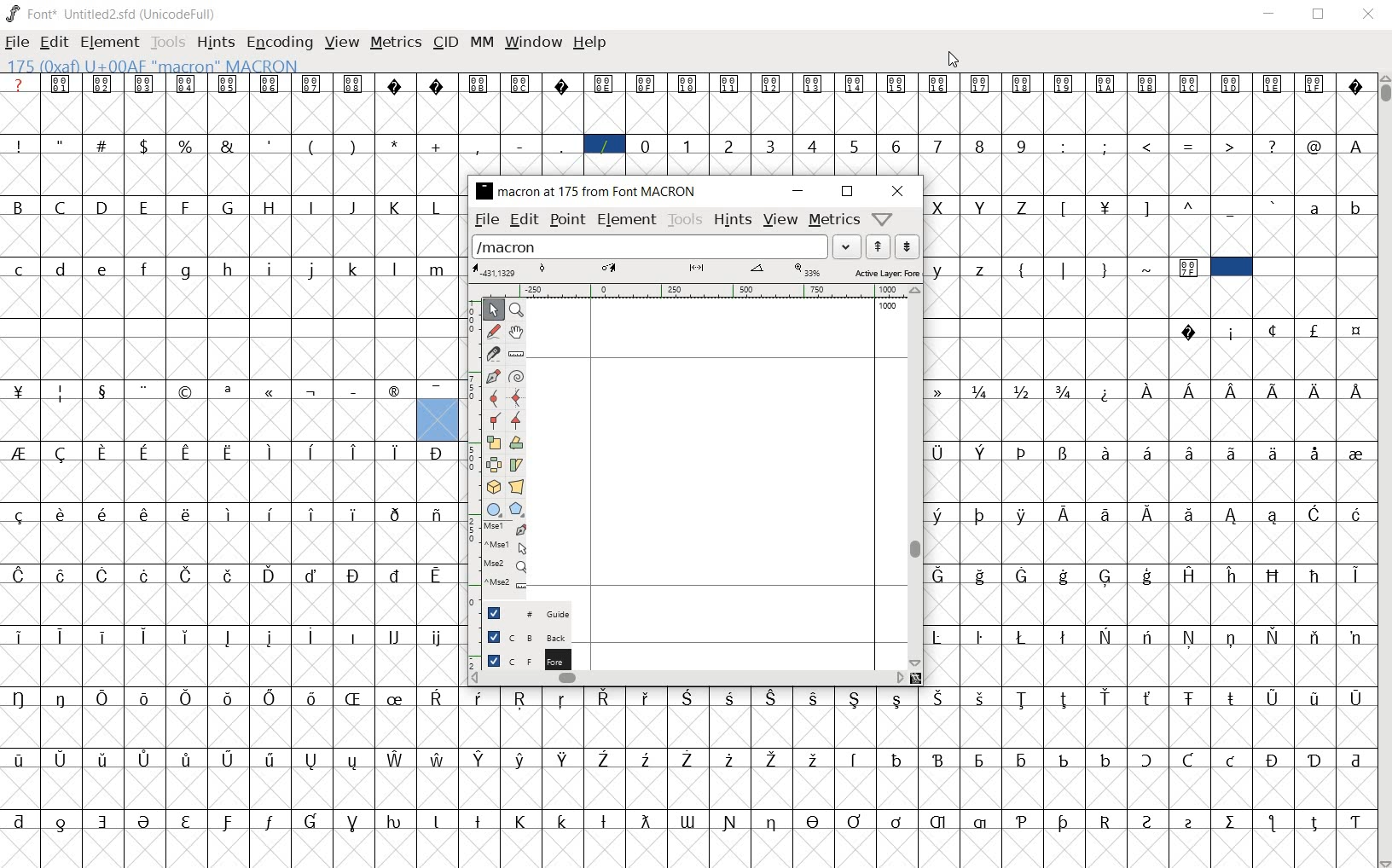 The height and width of the screenshot is (868, 1392). What do you see at coordinates (1106, 821) in the screenshot?
I see `Symbol` at bounding box center [1106, 821].